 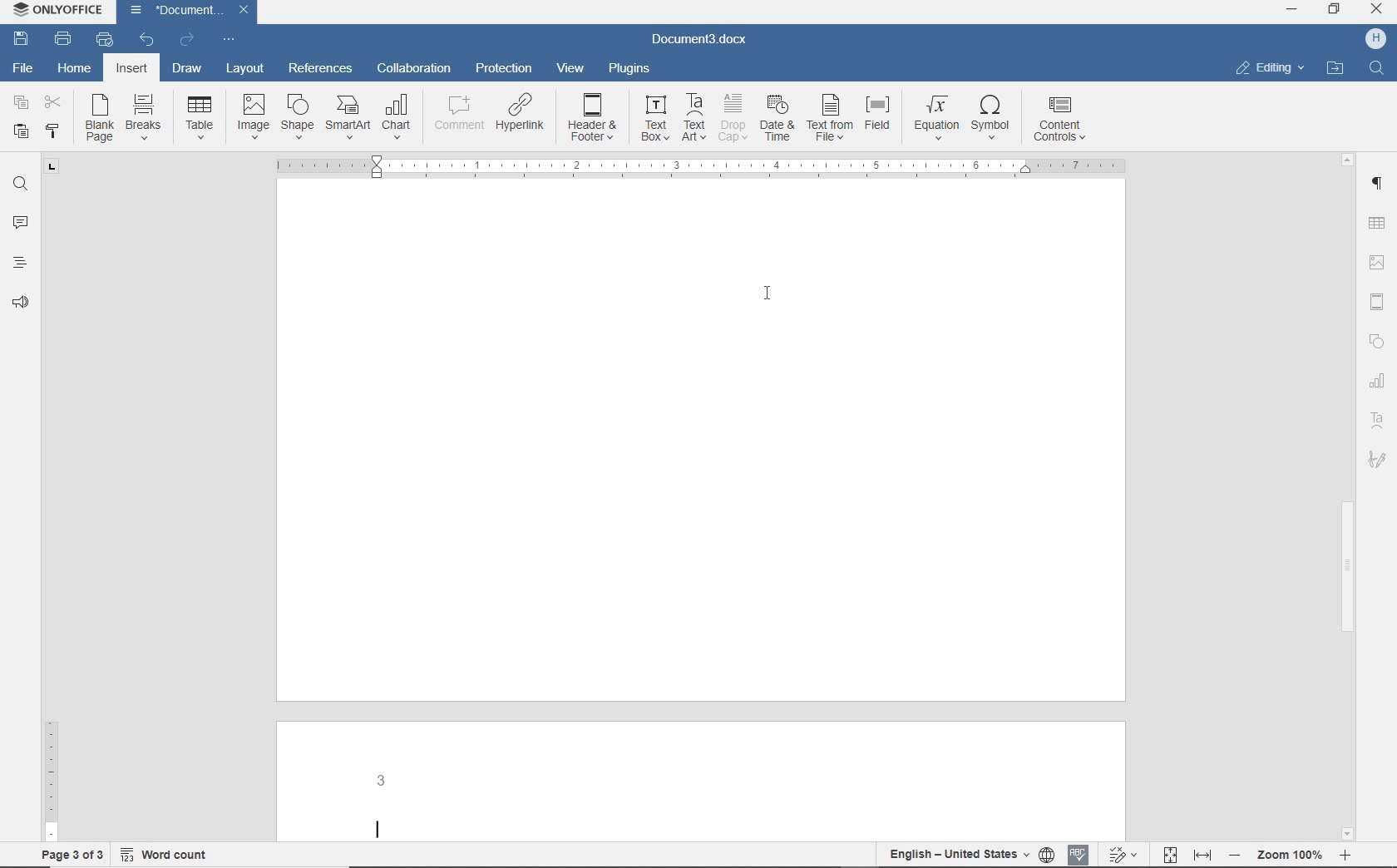 I want to click on QUICK PRINT, so click(x=107, y=40).